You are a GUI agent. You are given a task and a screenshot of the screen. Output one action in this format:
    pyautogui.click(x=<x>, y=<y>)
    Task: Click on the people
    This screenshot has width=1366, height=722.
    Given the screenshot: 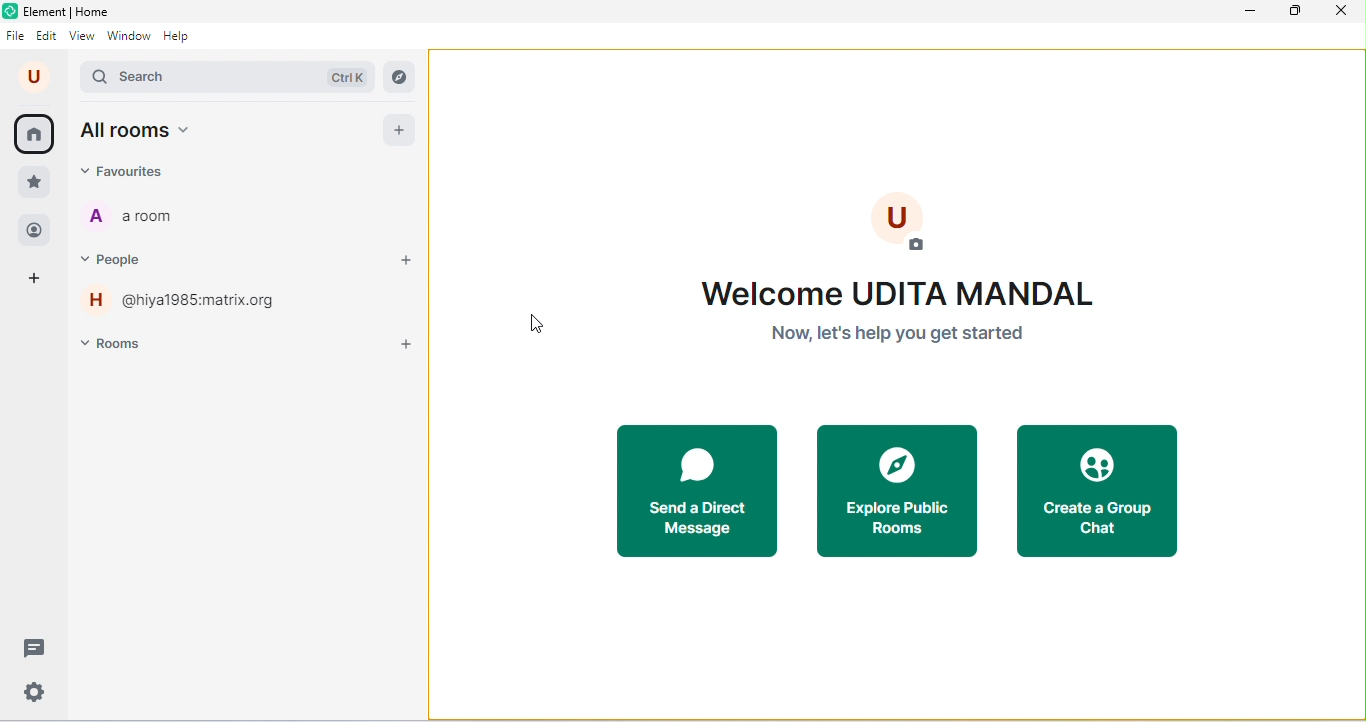 What is the action you would take?
    pyautogui.click(x=120, y=259)
    